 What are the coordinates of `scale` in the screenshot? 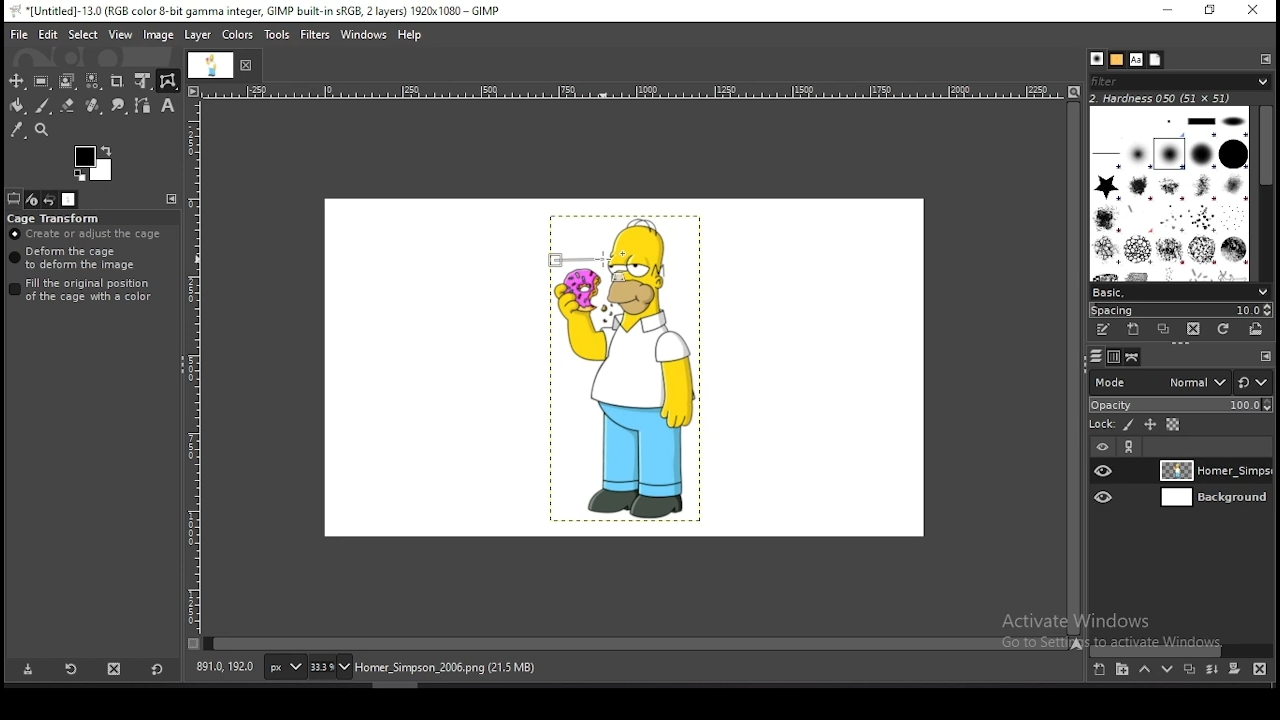 It's located at (634, 92).